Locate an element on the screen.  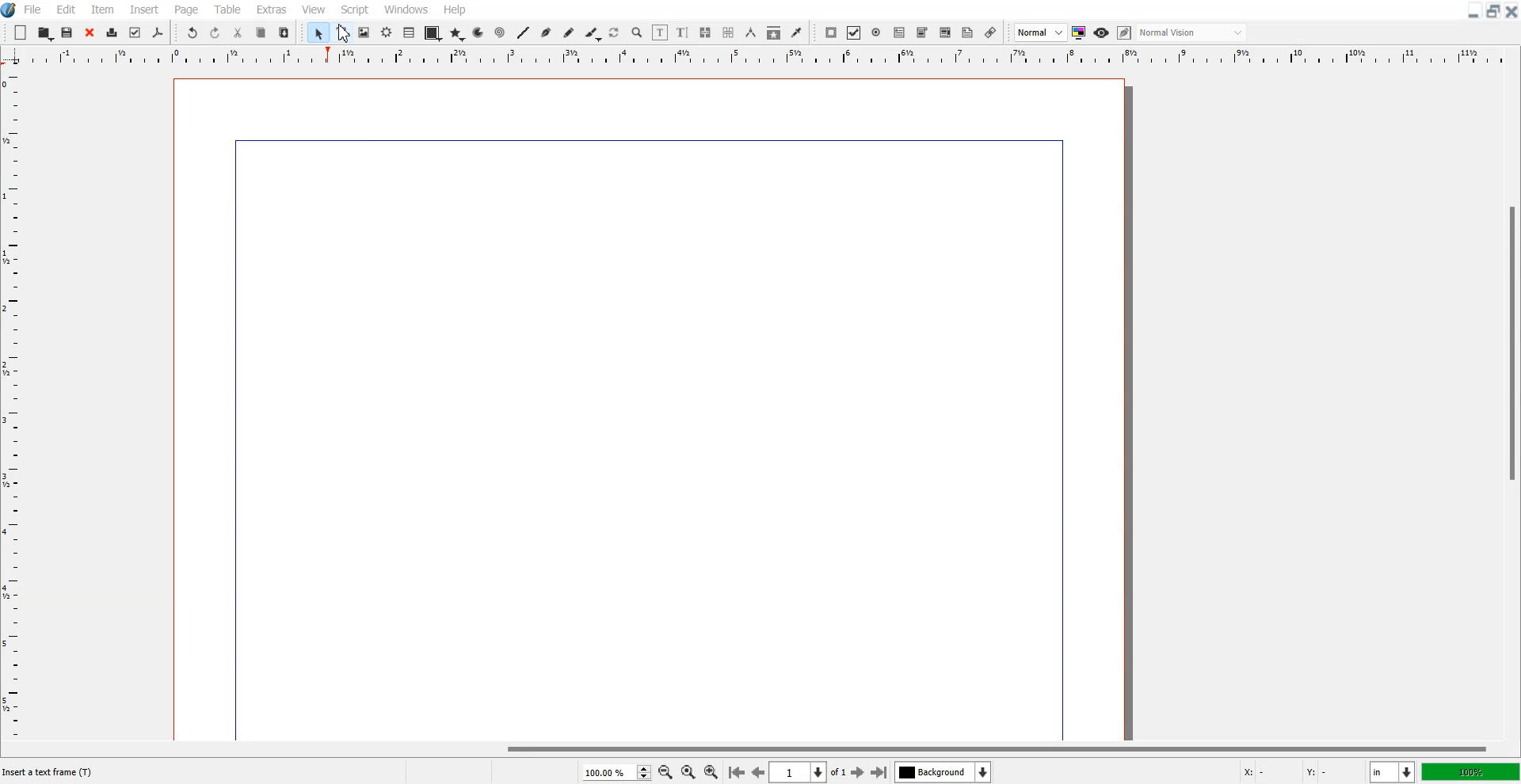
Unlink text Frame is located at coordinates (729, 33).